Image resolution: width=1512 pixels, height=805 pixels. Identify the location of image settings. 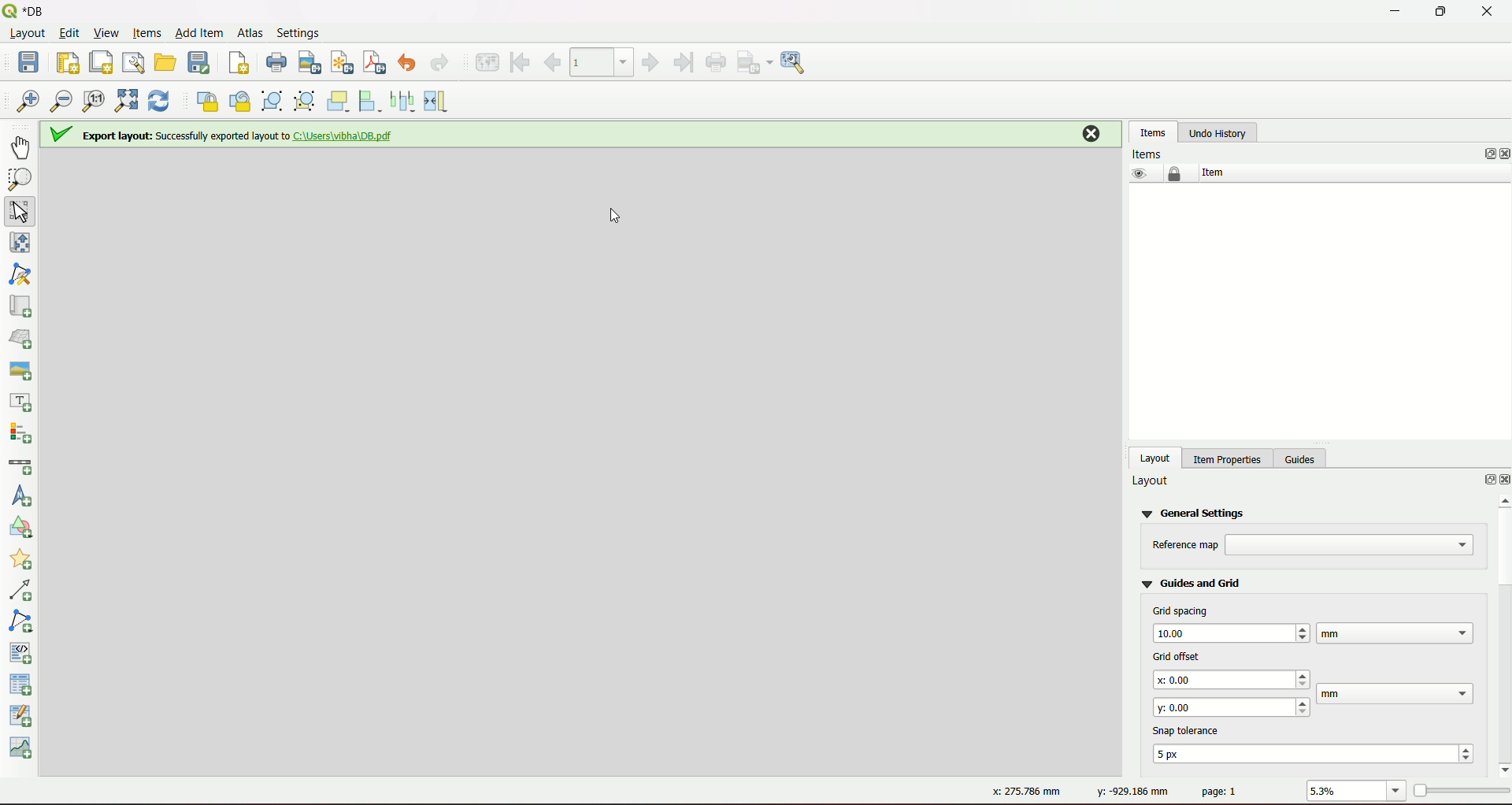
(797, 63).